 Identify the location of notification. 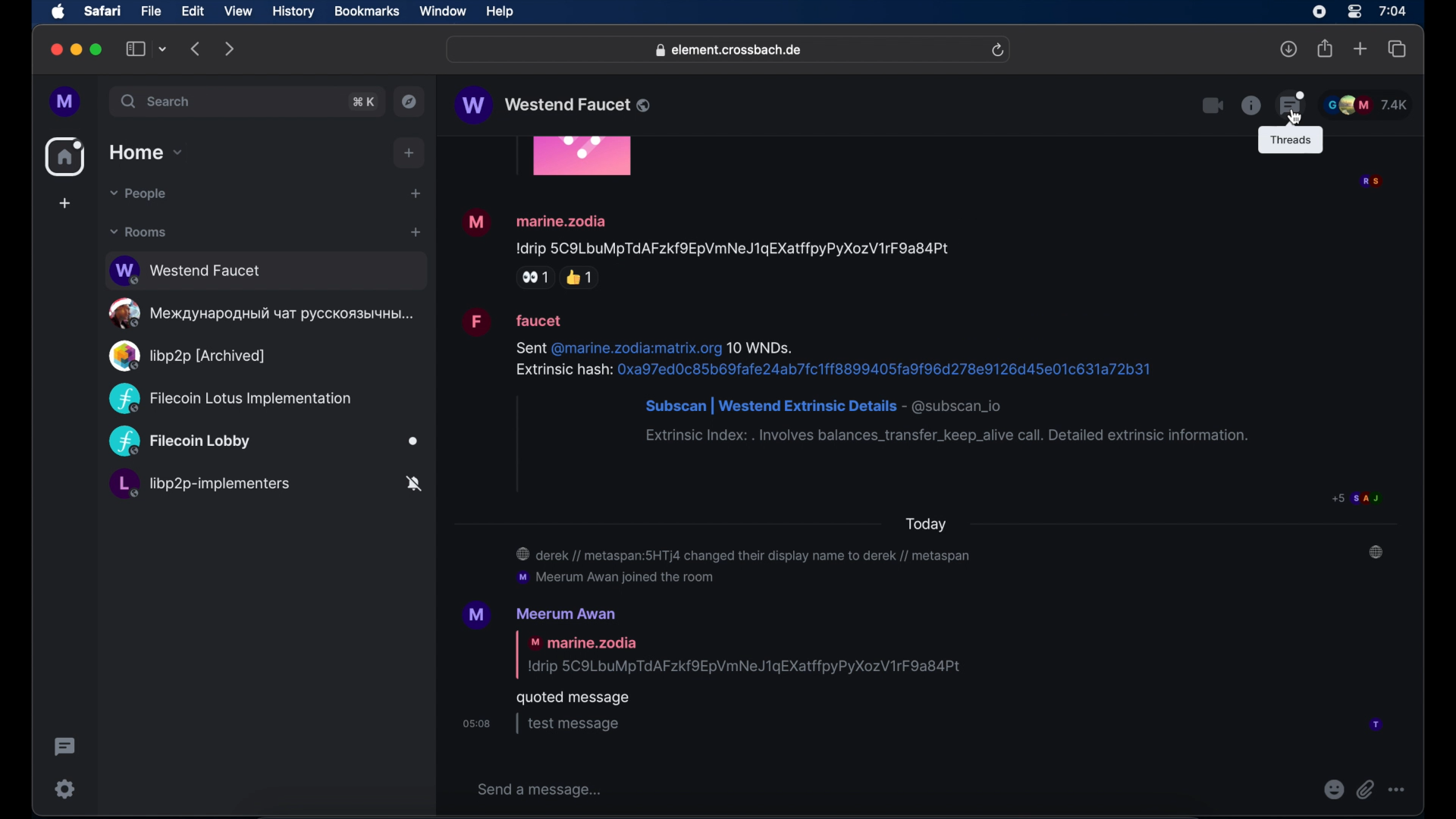
(1378, 551).